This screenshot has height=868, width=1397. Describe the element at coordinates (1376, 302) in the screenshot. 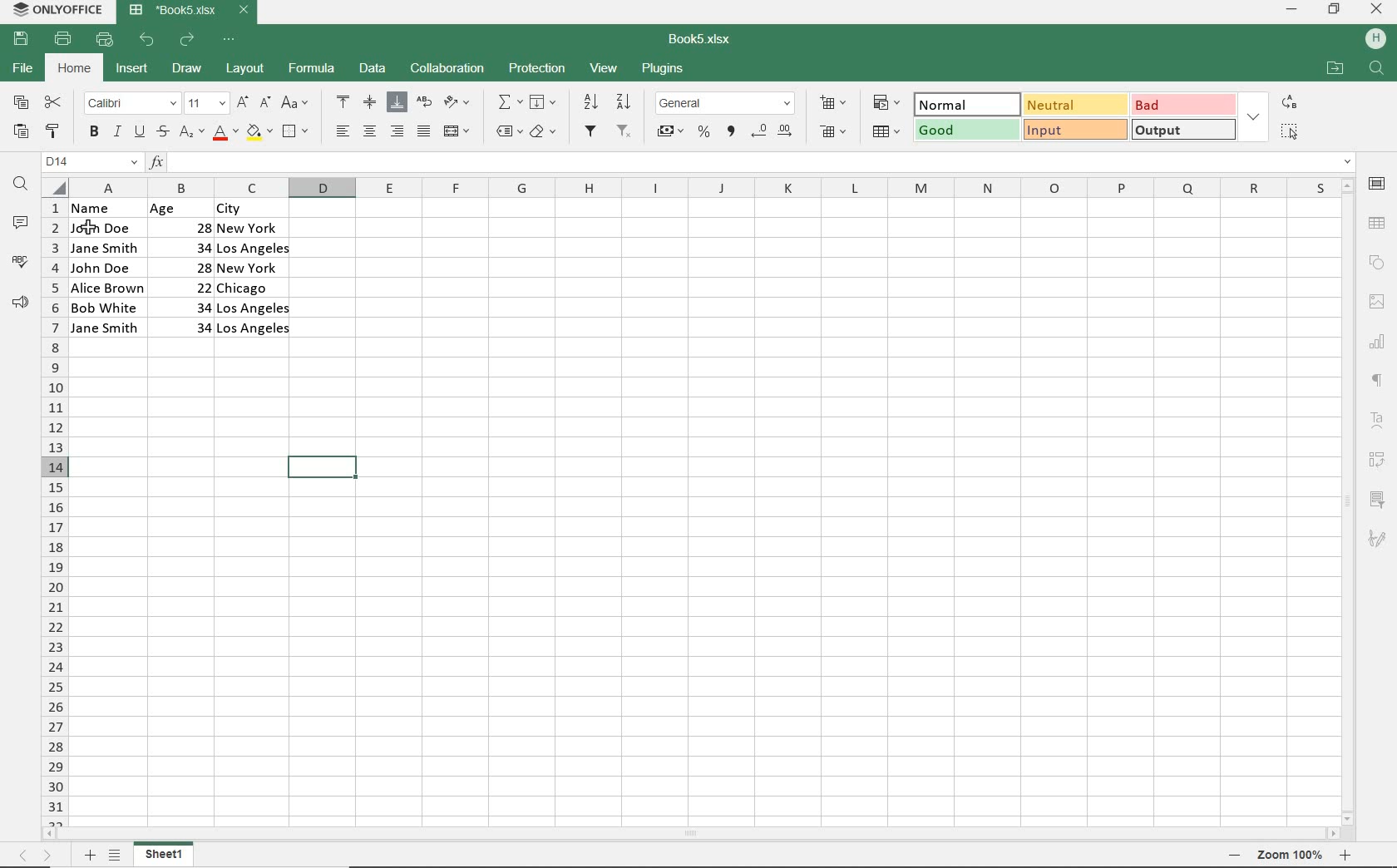

I see `IMAGE` at that location.